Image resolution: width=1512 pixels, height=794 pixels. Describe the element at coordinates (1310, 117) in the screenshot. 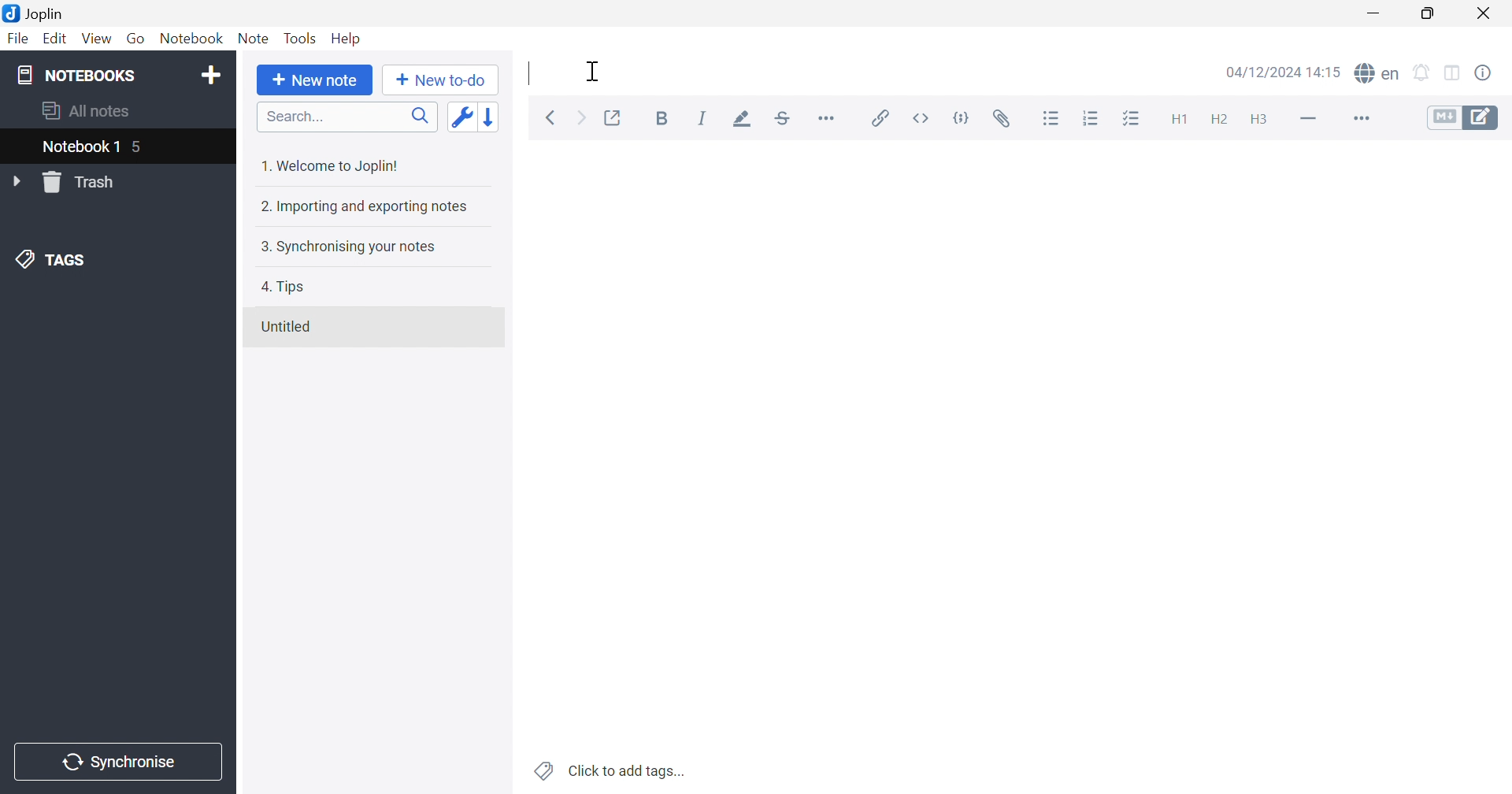

I see `Horizontal line` at that location.